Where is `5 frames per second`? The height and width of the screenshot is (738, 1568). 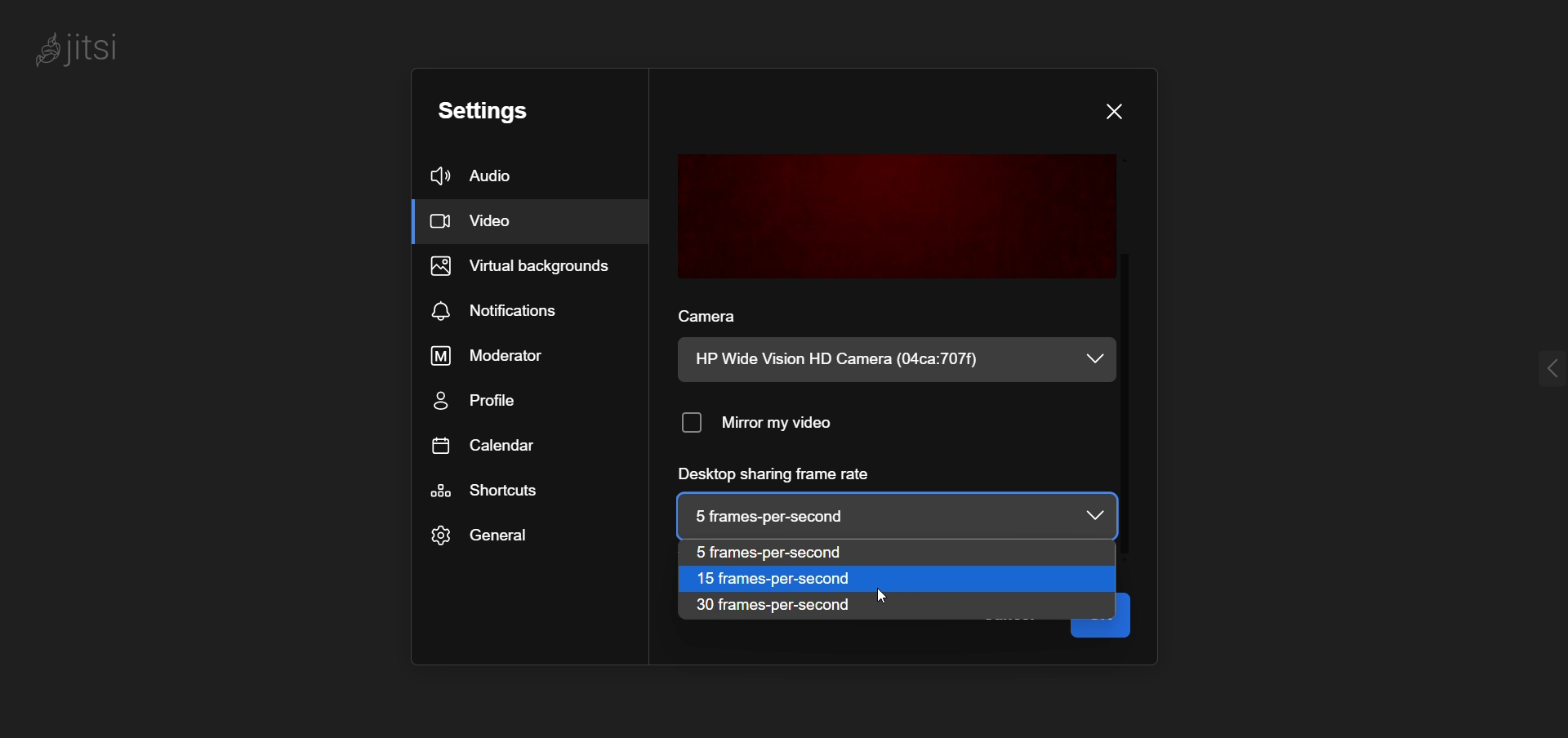
5 frames per second is located at coordinates (795, 551).